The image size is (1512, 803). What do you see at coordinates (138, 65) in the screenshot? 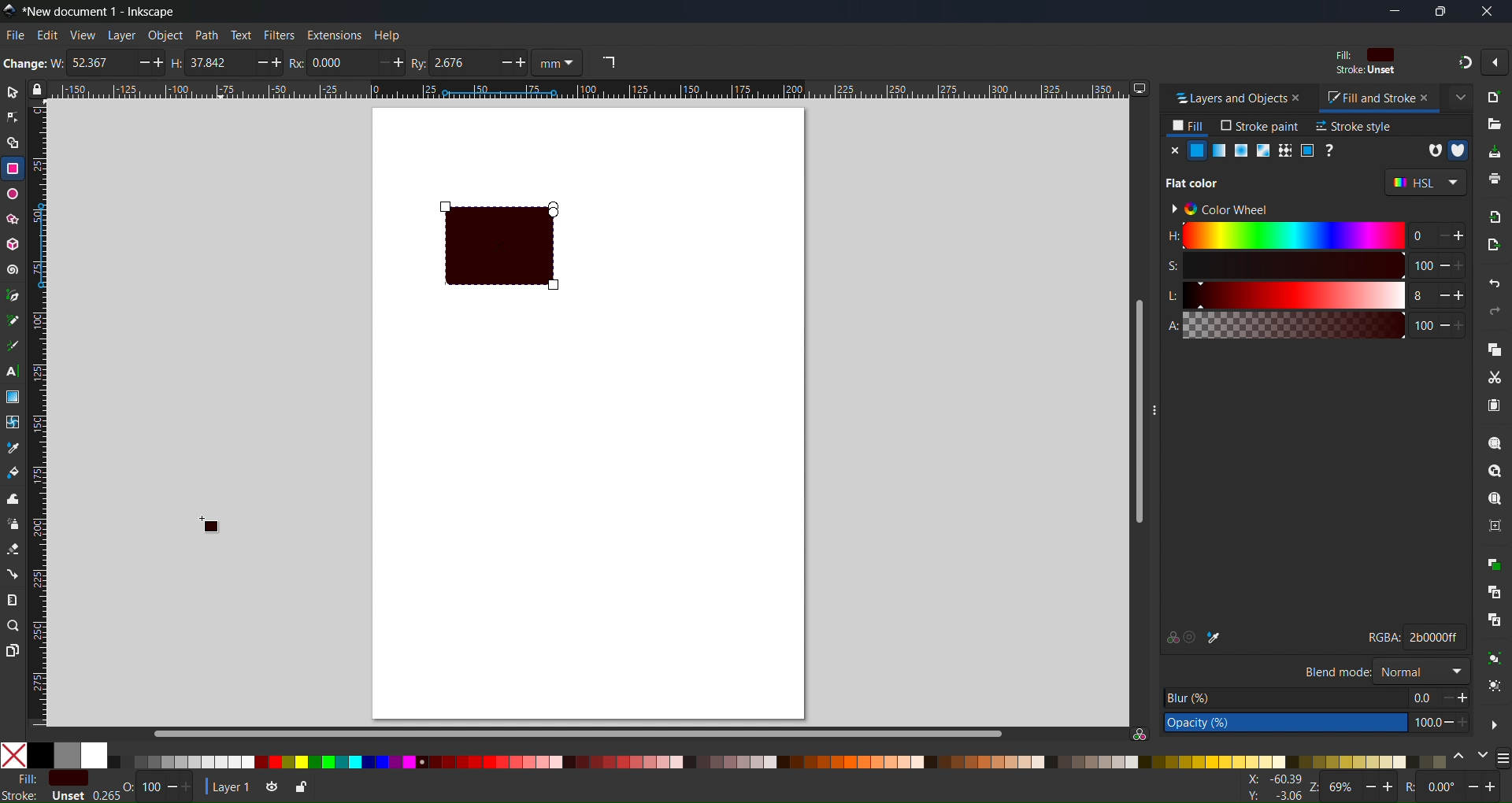
I see `Minimize width` at bounding box center [138, 65].